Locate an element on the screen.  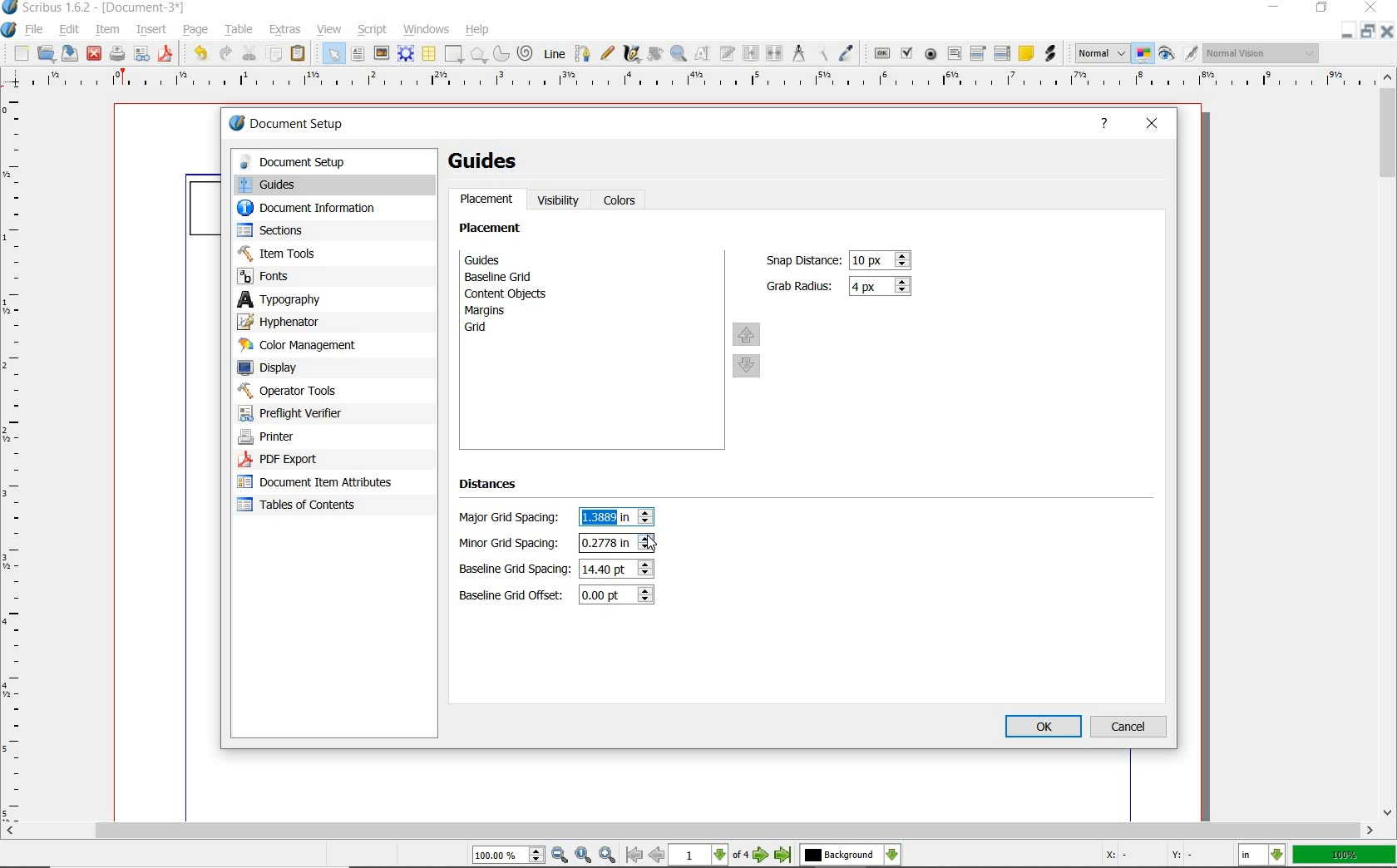
Scribus 1.6.2 - [Document-3*] is located at coordinates (94, 8).